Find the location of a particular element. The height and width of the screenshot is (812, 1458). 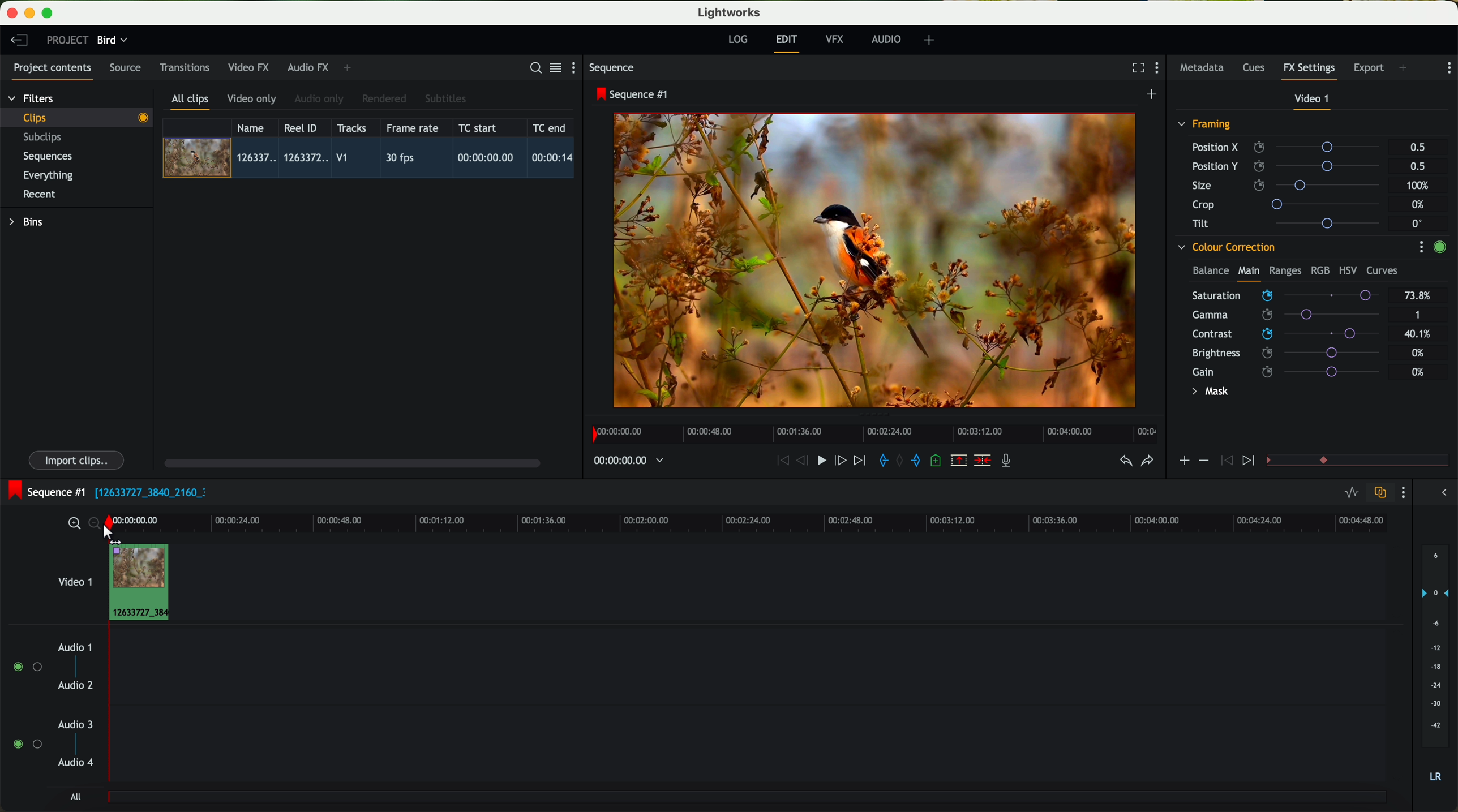

delete/cut is located at coordinates (983, 461).